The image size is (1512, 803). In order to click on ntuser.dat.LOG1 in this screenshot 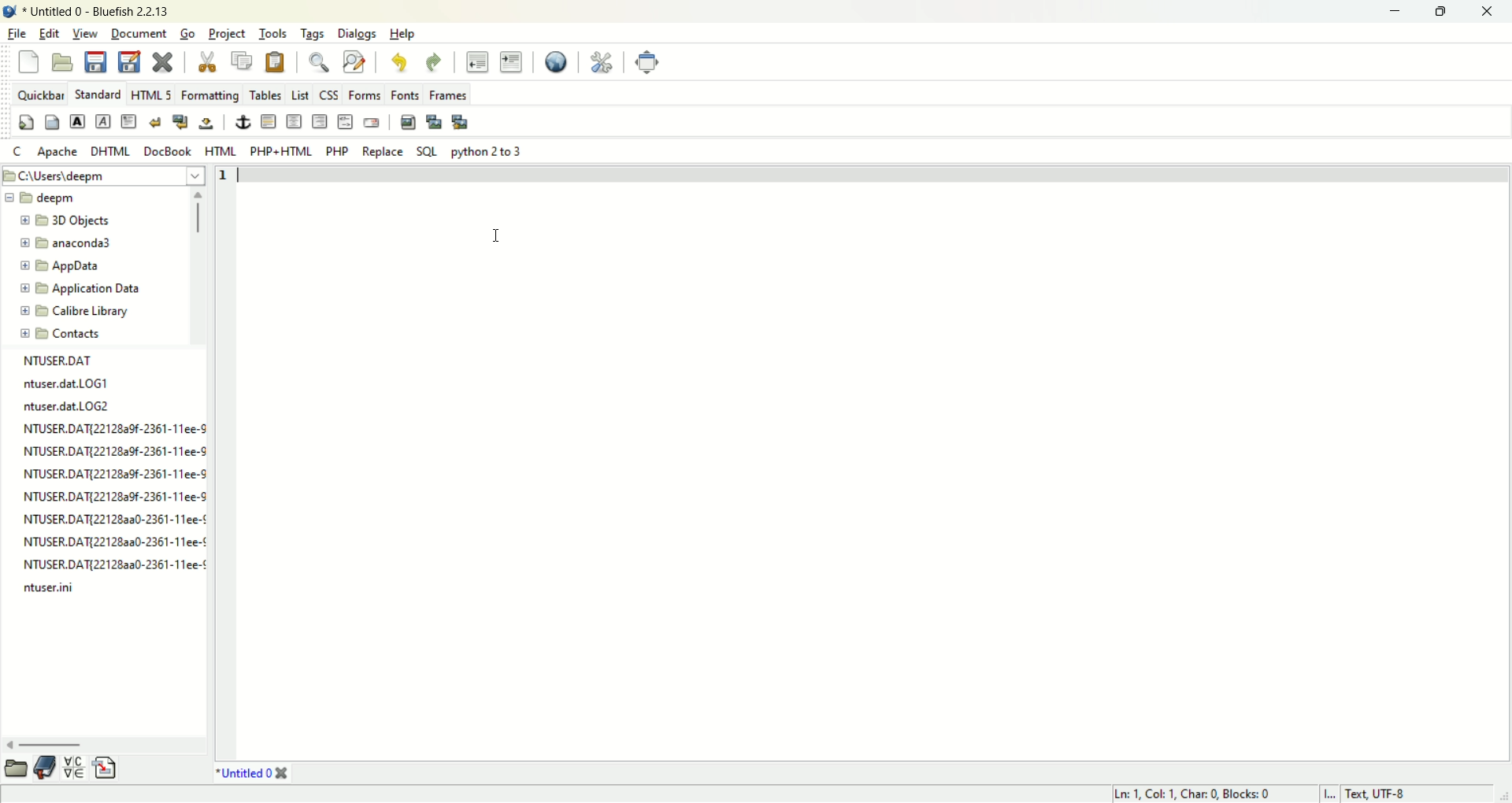, I will do `click(66, 383)`.